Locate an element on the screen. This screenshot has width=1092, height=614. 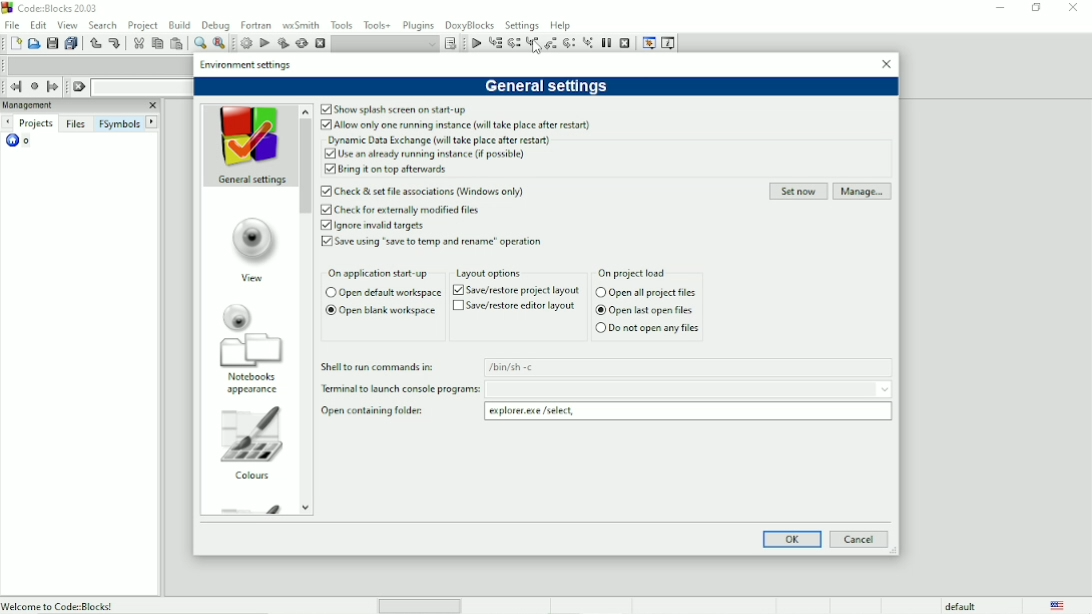
Dynamic data exchange is located at coordinates (443, 140).